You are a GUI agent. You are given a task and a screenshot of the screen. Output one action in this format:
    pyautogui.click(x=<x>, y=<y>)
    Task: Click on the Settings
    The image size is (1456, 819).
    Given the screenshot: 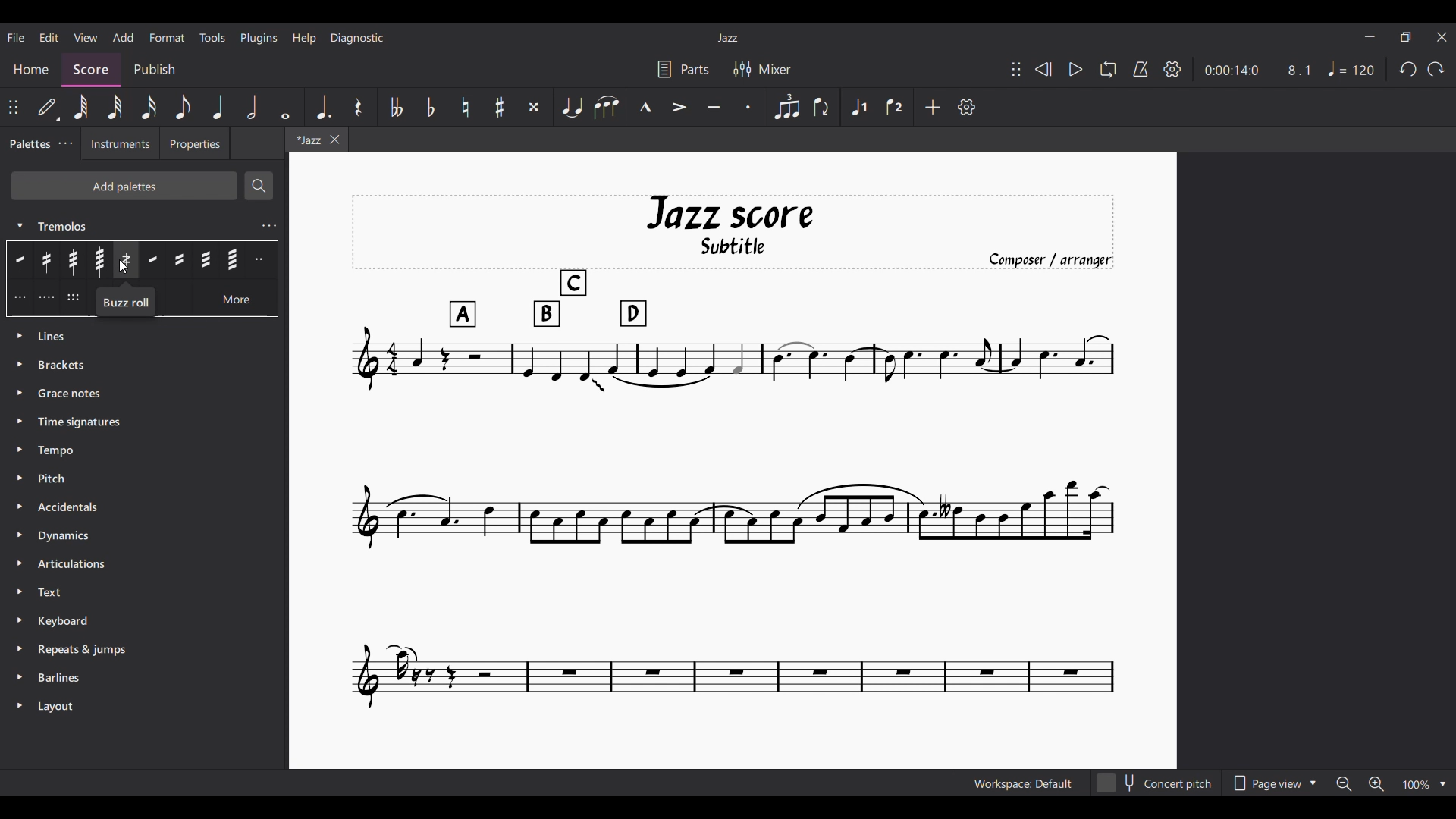 What is the action you would take?
    pyautogui.click(x=1172, y=69)
    